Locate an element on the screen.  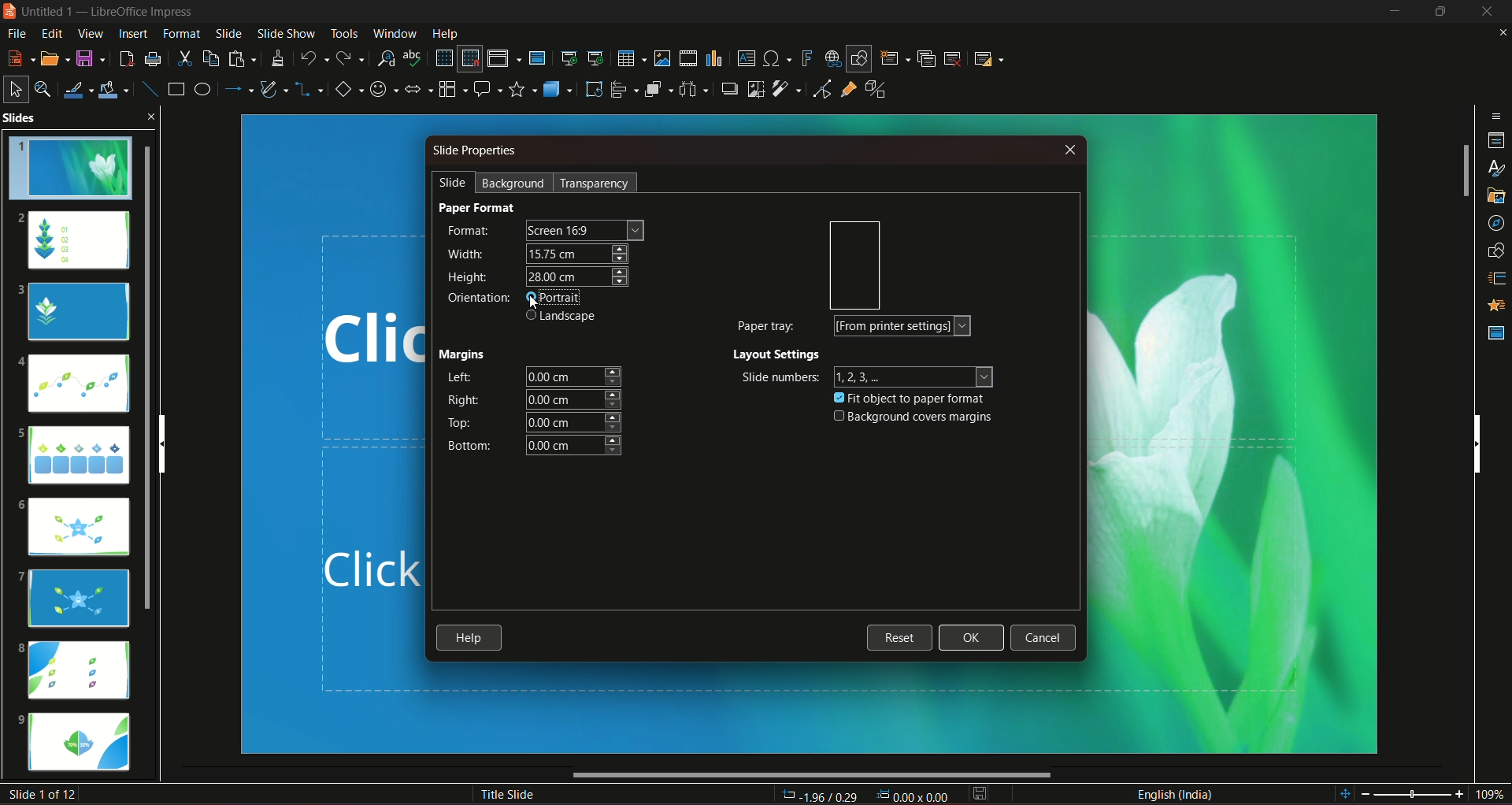
shadow is located at coordinates (729, 89).